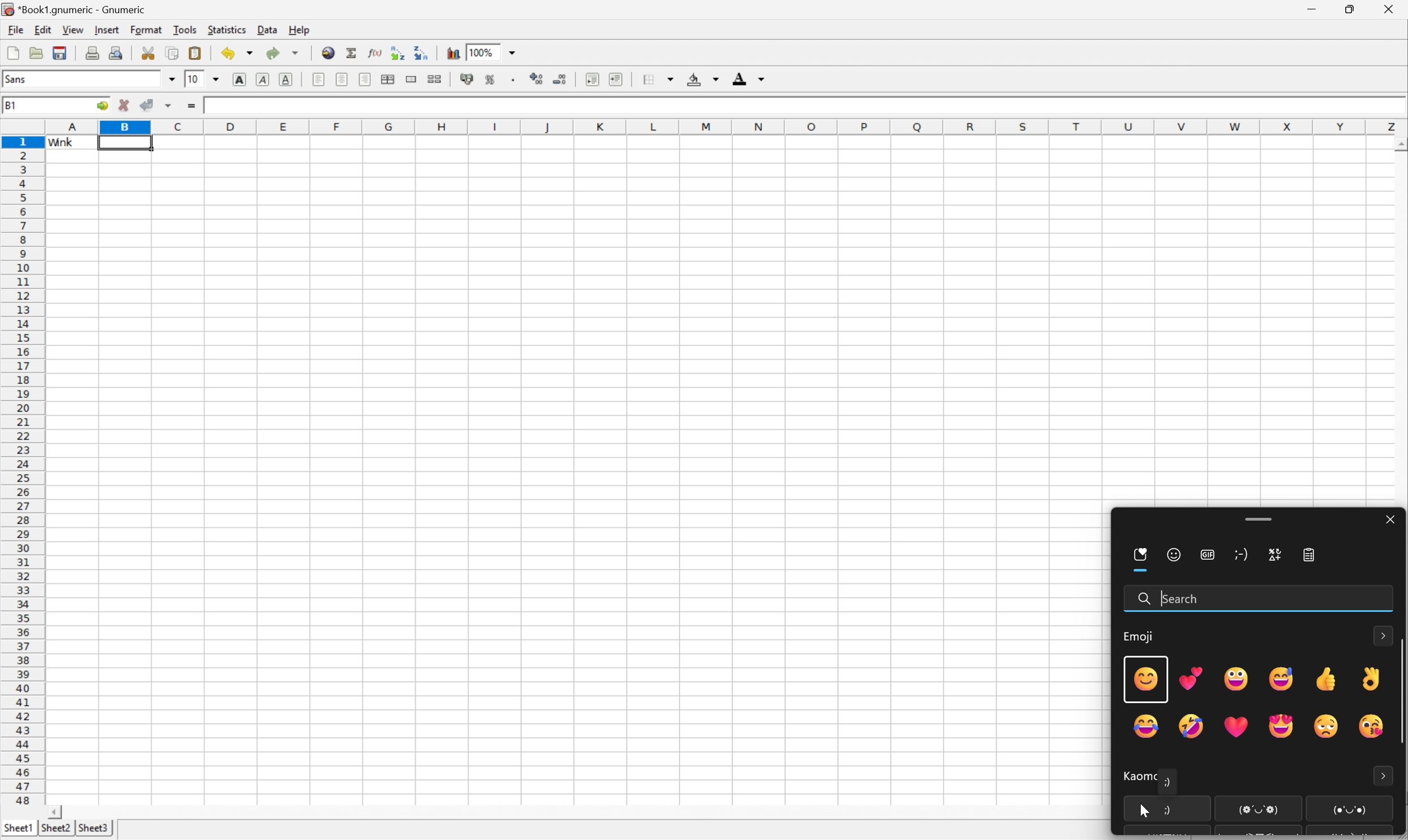  I want to click on wink, so click(61, 143).